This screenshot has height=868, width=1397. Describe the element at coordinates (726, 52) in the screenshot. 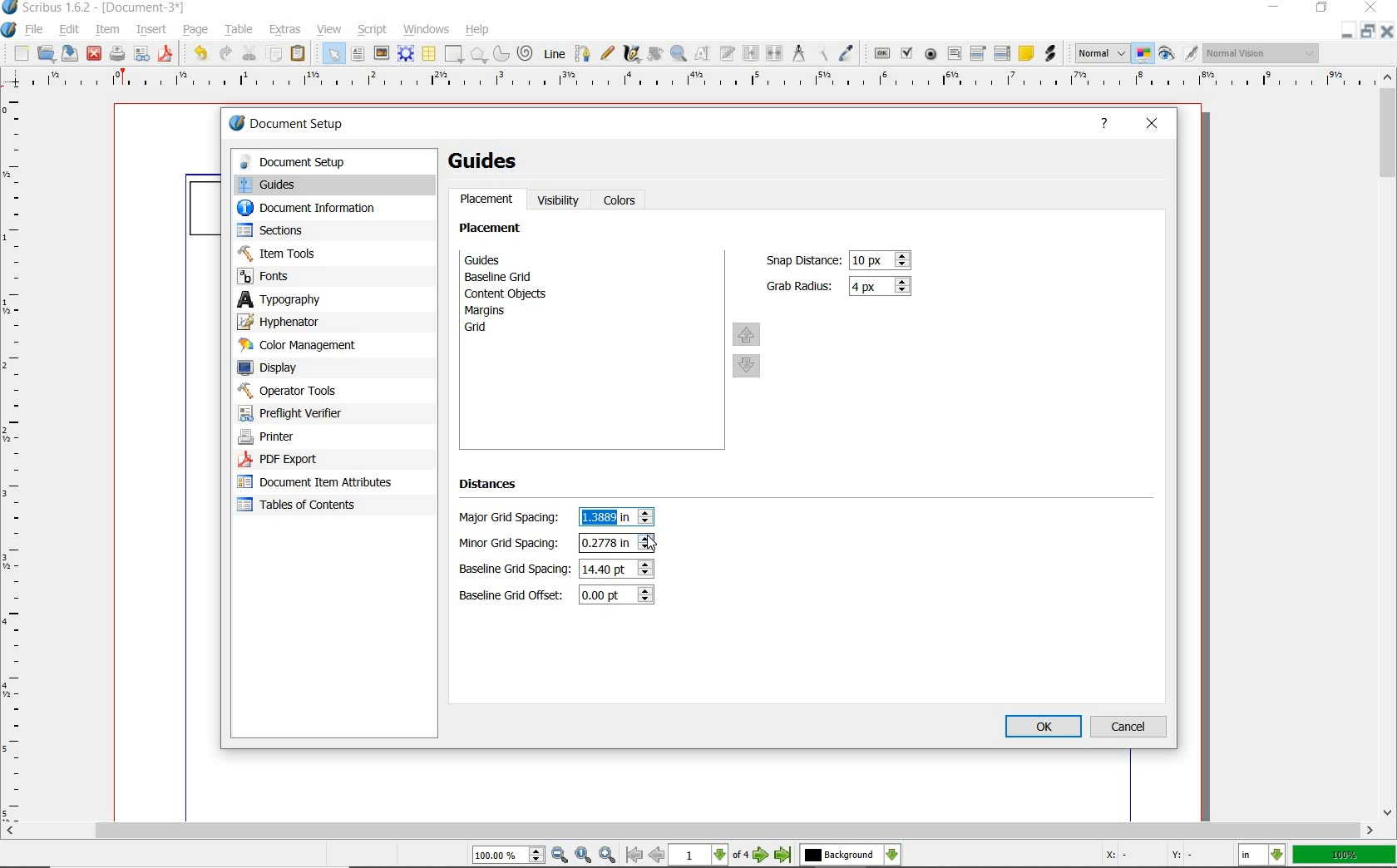

I see `edit text with story editor` at that location.